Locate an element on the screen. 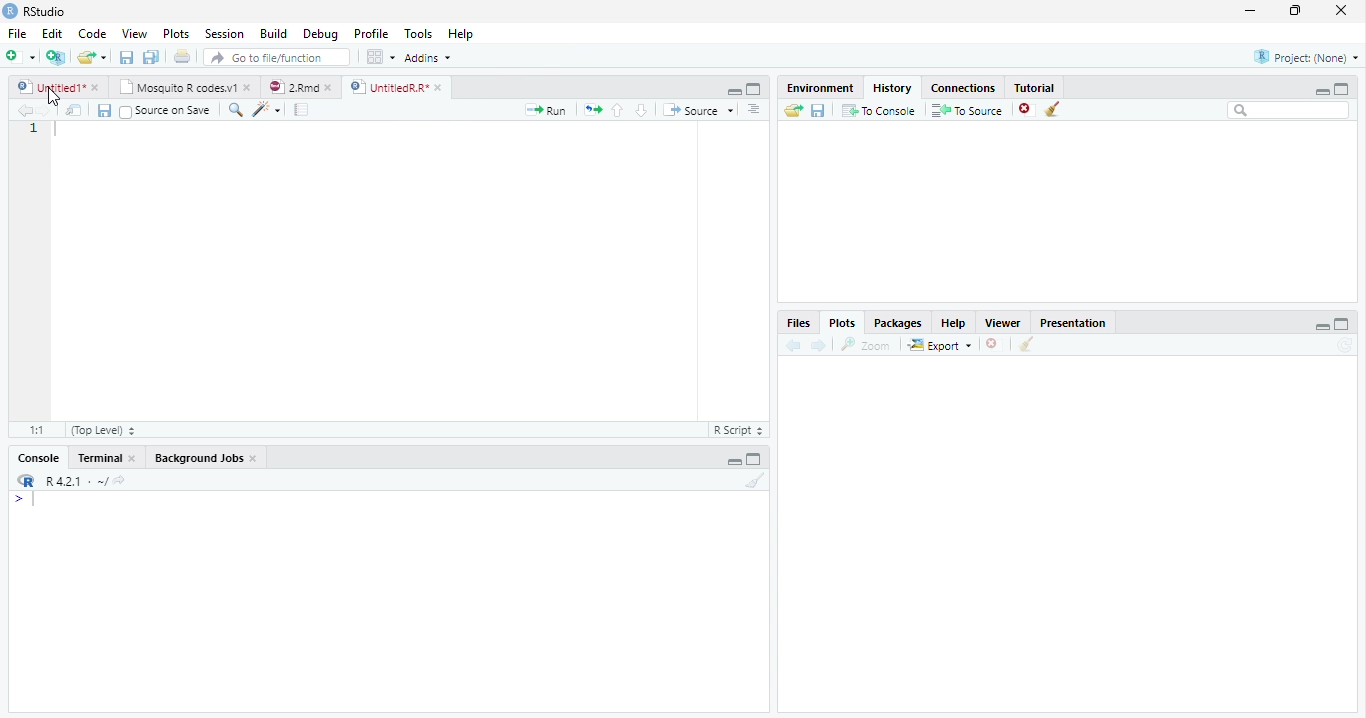 The width and height of the screenshot is (1366, 718). Workplace panes is located at coordinates (379, 56).